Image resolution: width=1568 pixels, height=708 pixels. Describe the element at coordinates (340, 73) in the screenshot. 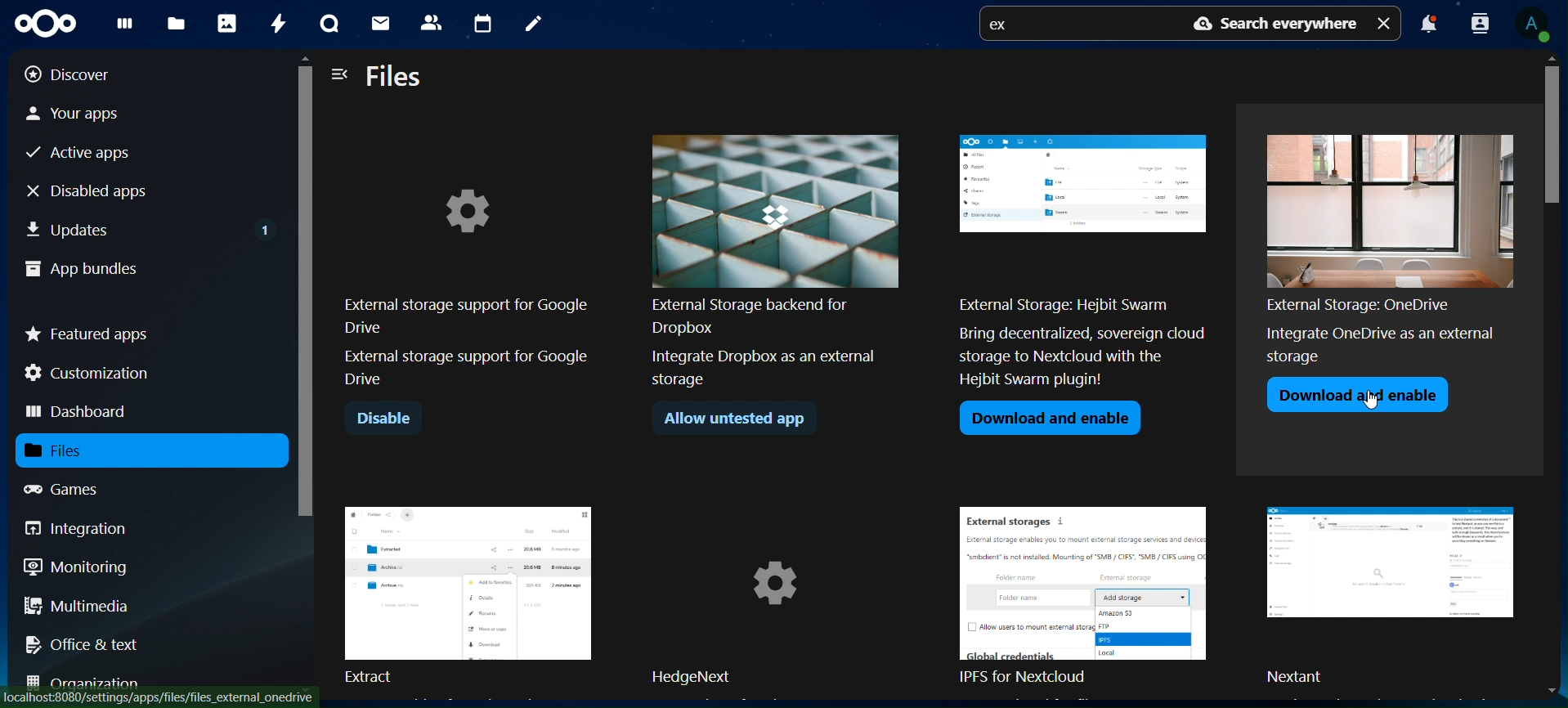

I see `close navigation` at that location.